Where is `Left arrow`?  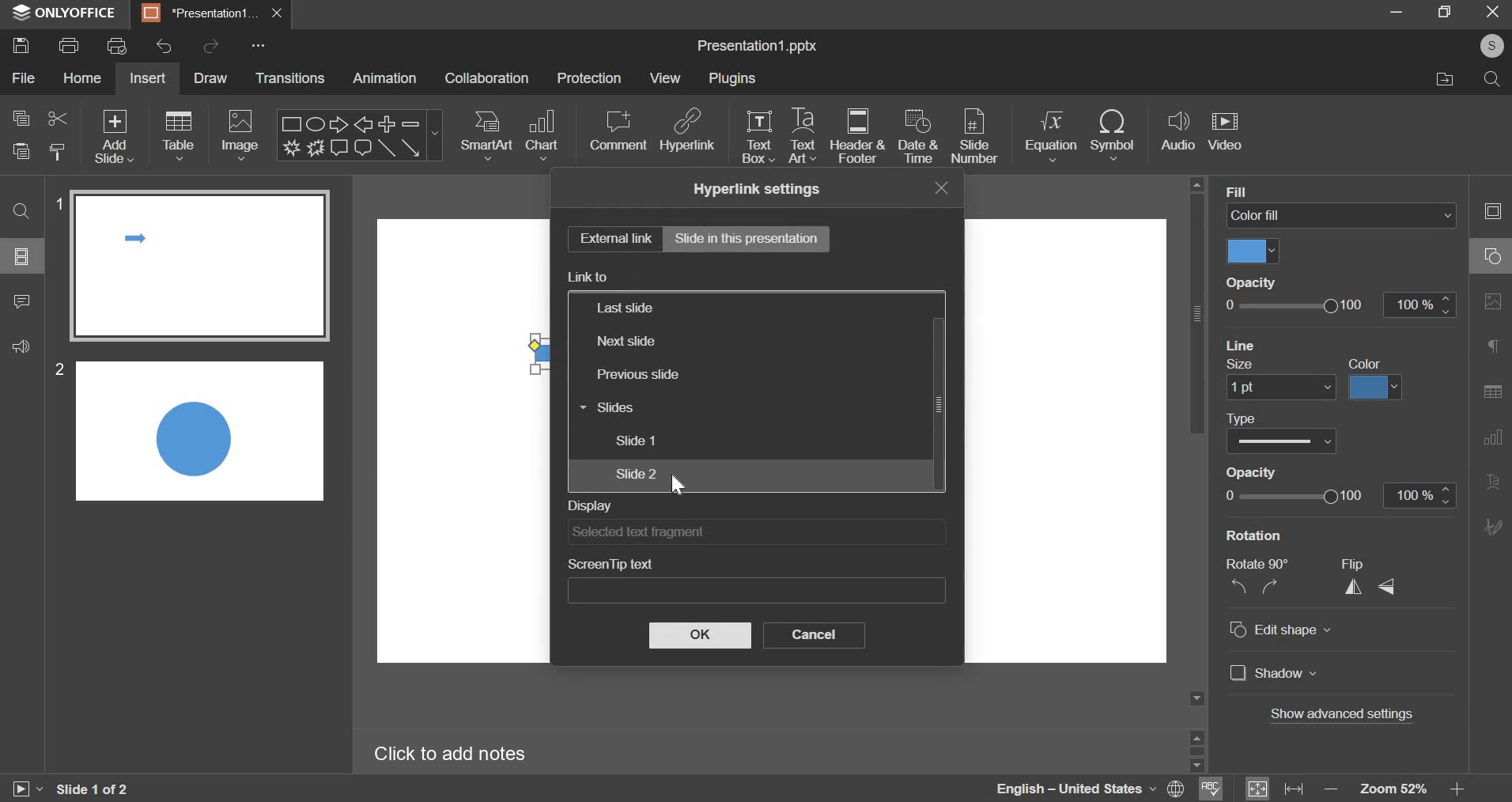 Left arrow is located at coordinates (364, 123).